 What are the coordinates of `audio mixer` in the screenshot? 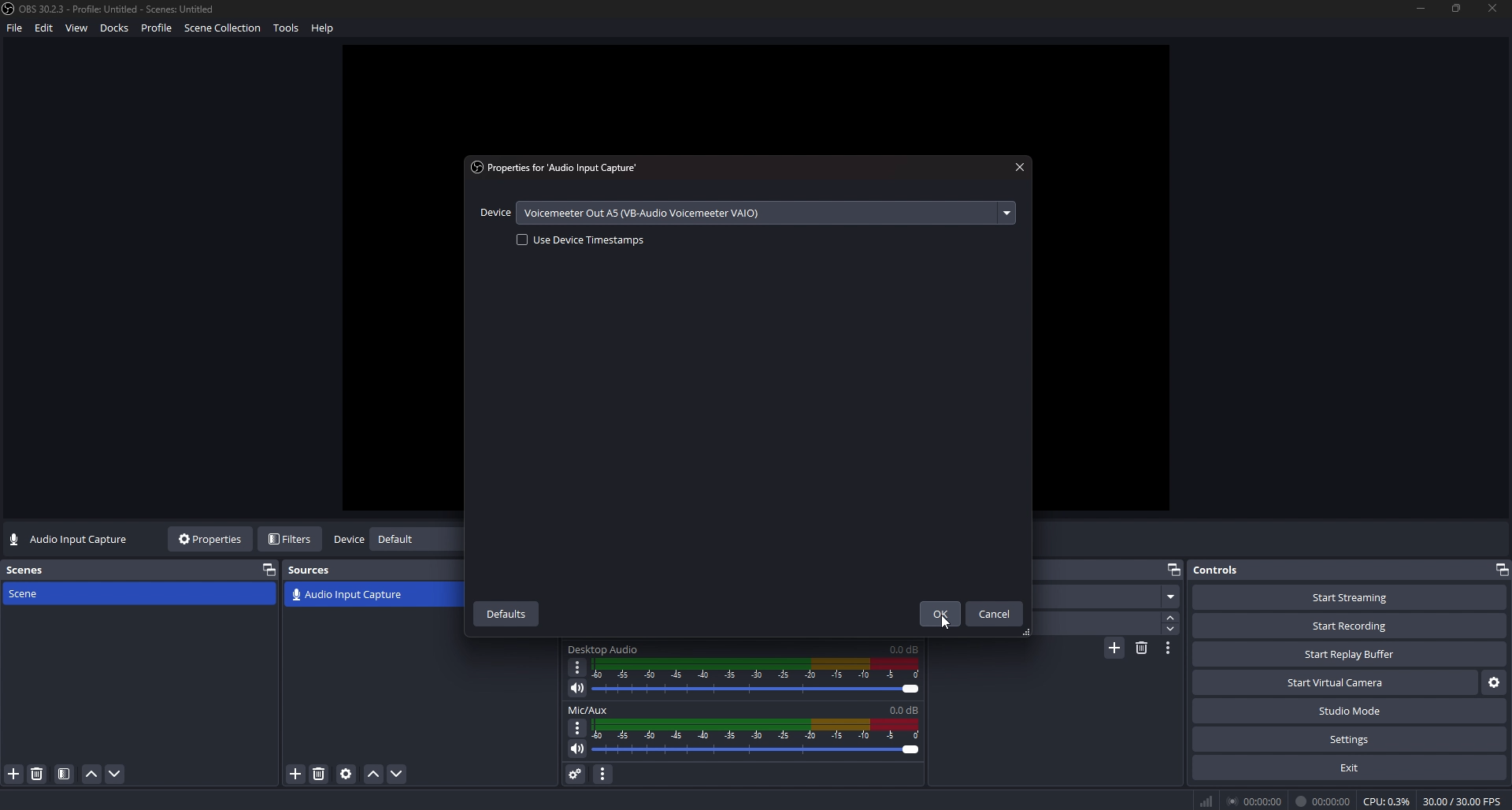 It's located at (760, 738).